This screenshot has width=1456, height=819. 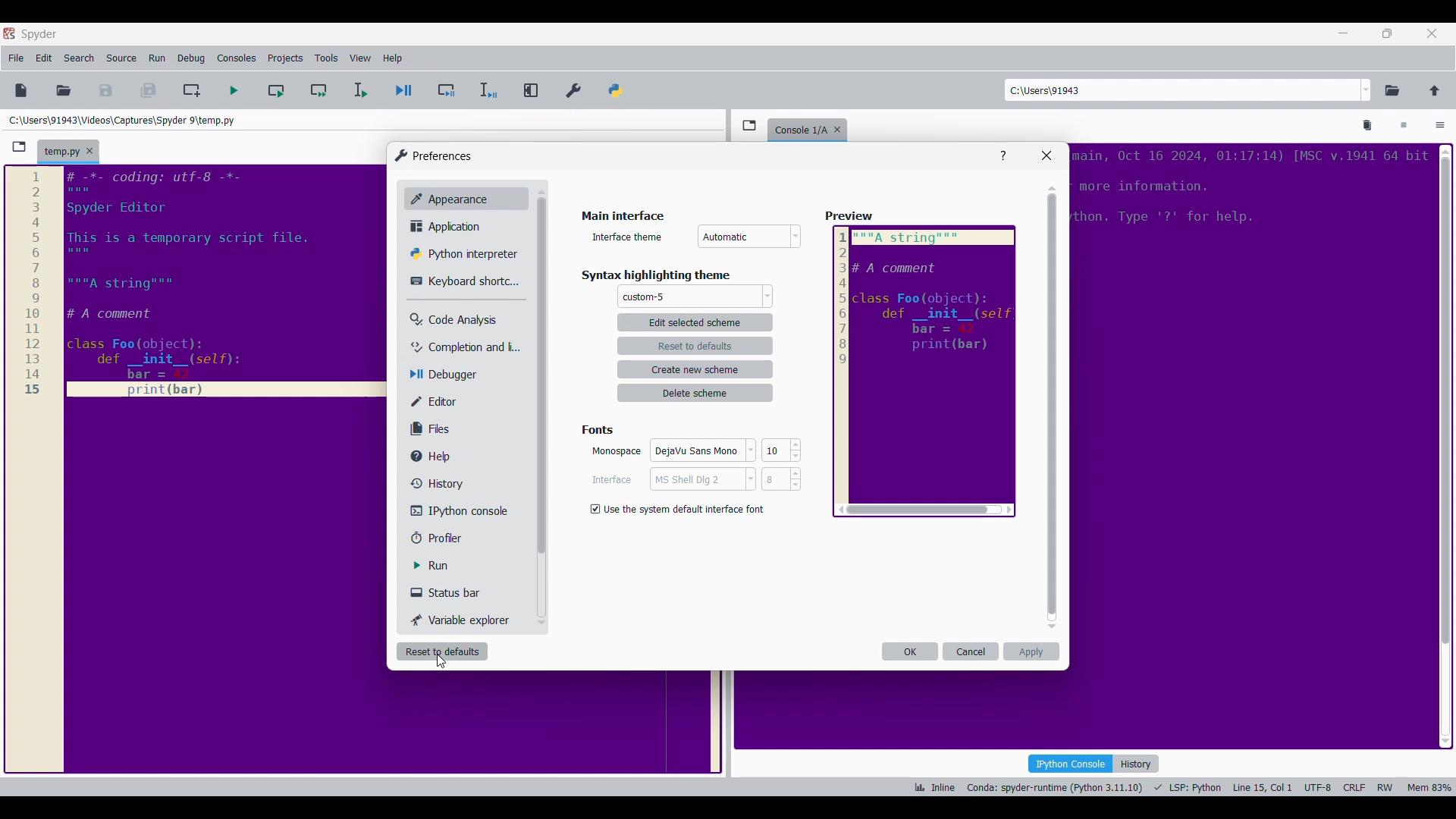 I want to click on Mem 84%, so click(x=1426, y=787).